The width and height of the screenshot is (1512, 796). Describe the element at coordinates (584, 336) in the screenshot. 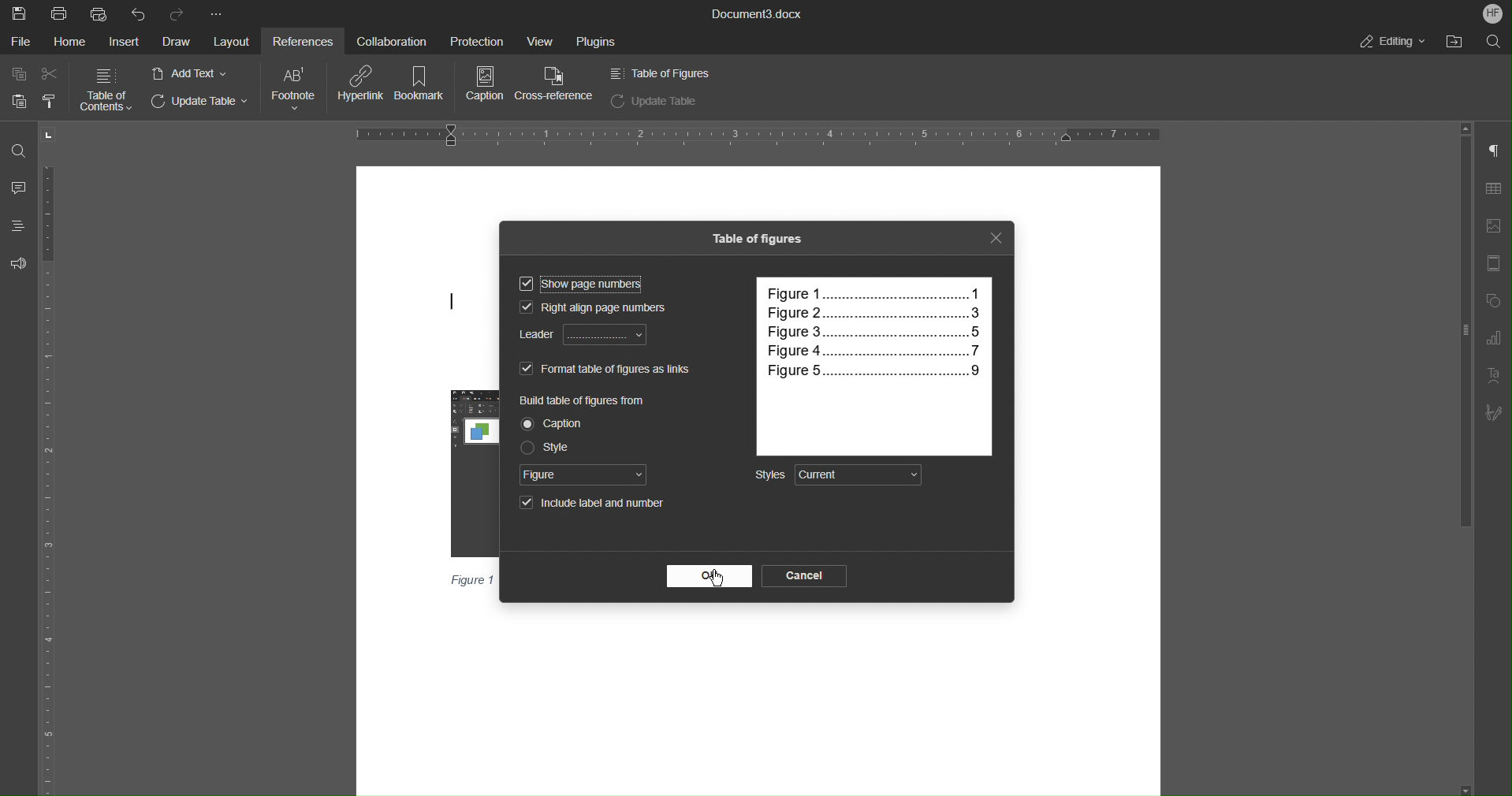

I see `Leader` at that location.